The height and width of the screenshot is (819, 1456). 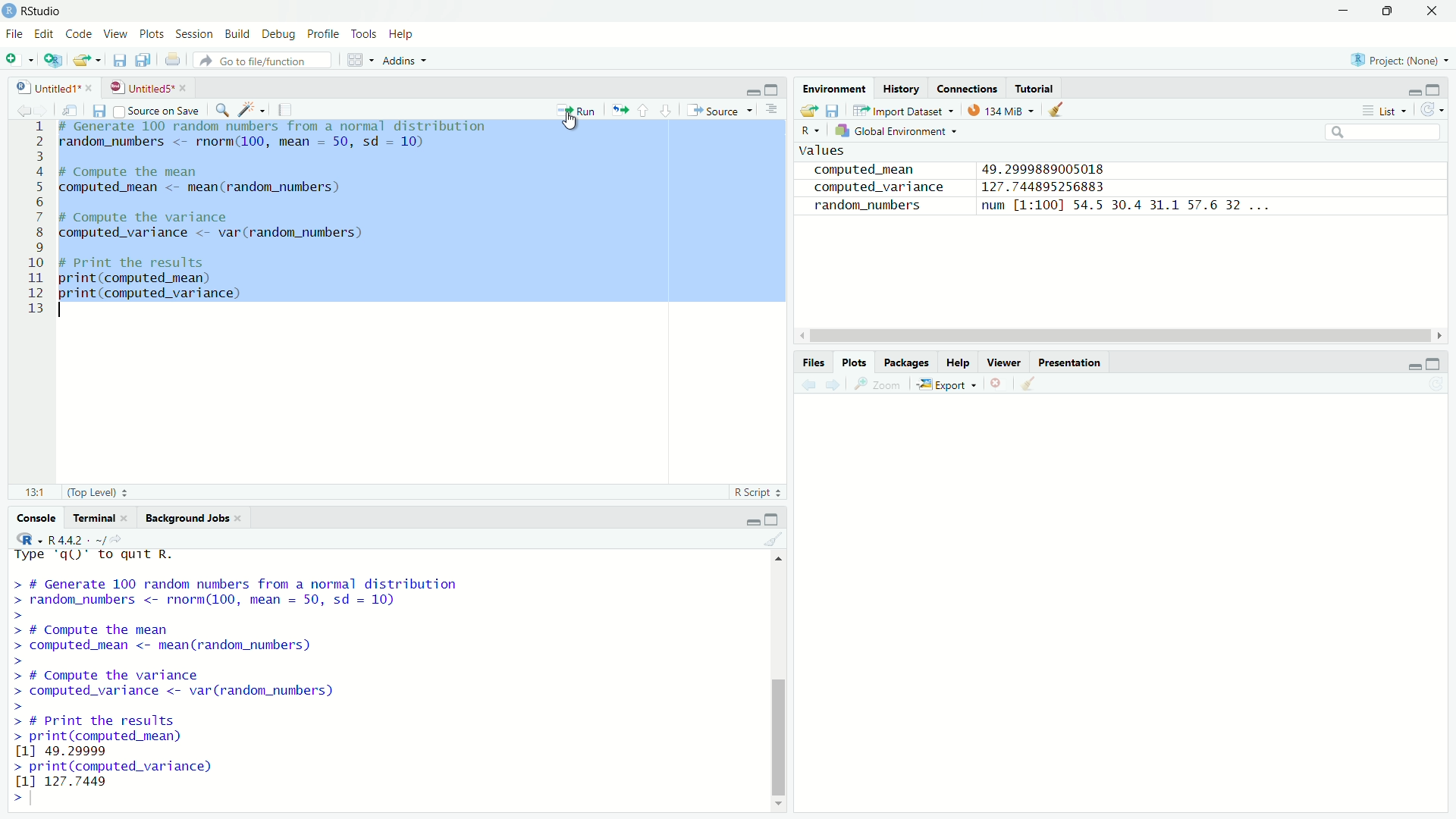 What do you see at coordinates (30, 493) in the screenshot?
I see `12:25` at bounding box center [30, 493].